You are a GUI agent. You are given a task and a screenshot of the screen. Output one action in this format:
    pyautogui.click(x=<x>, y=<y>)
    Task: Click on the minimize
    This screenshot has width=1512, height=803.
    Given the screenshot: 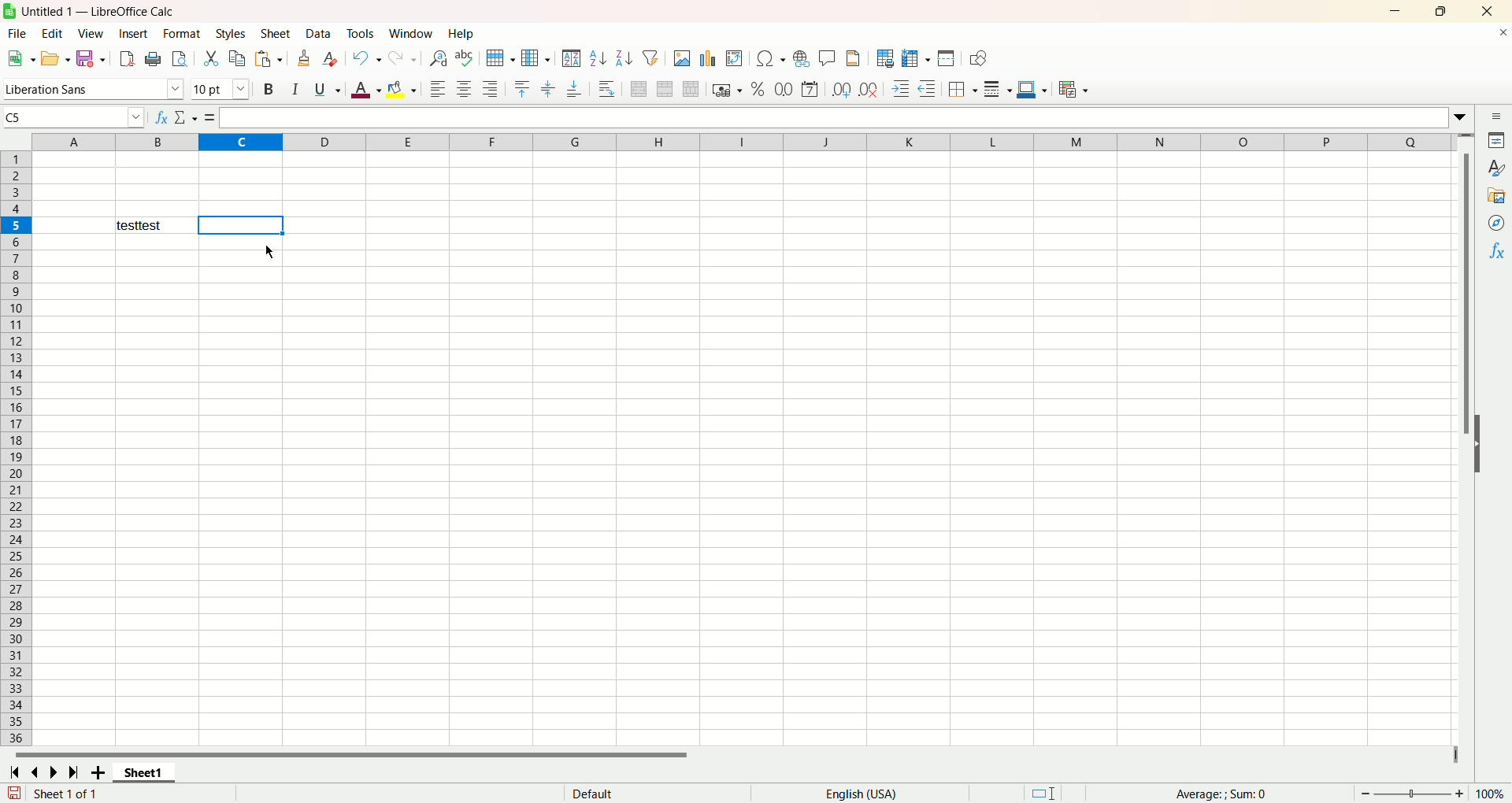 What is the action you would take?
    pyautogui.click(x=1400, y=12)
    